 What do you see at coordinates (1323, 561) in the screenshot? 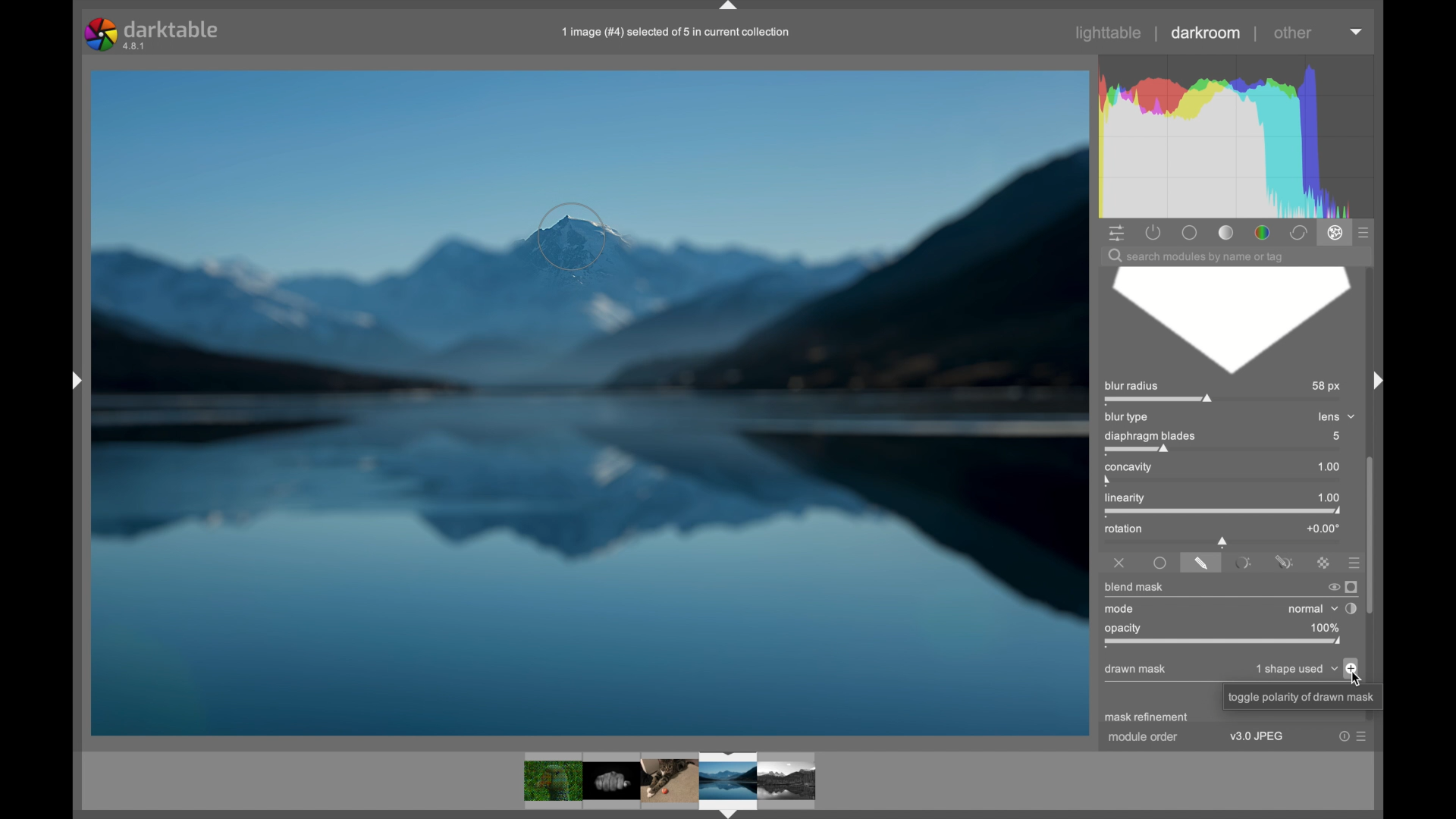
I see `rastermask` at bounding box center [1323, 561].